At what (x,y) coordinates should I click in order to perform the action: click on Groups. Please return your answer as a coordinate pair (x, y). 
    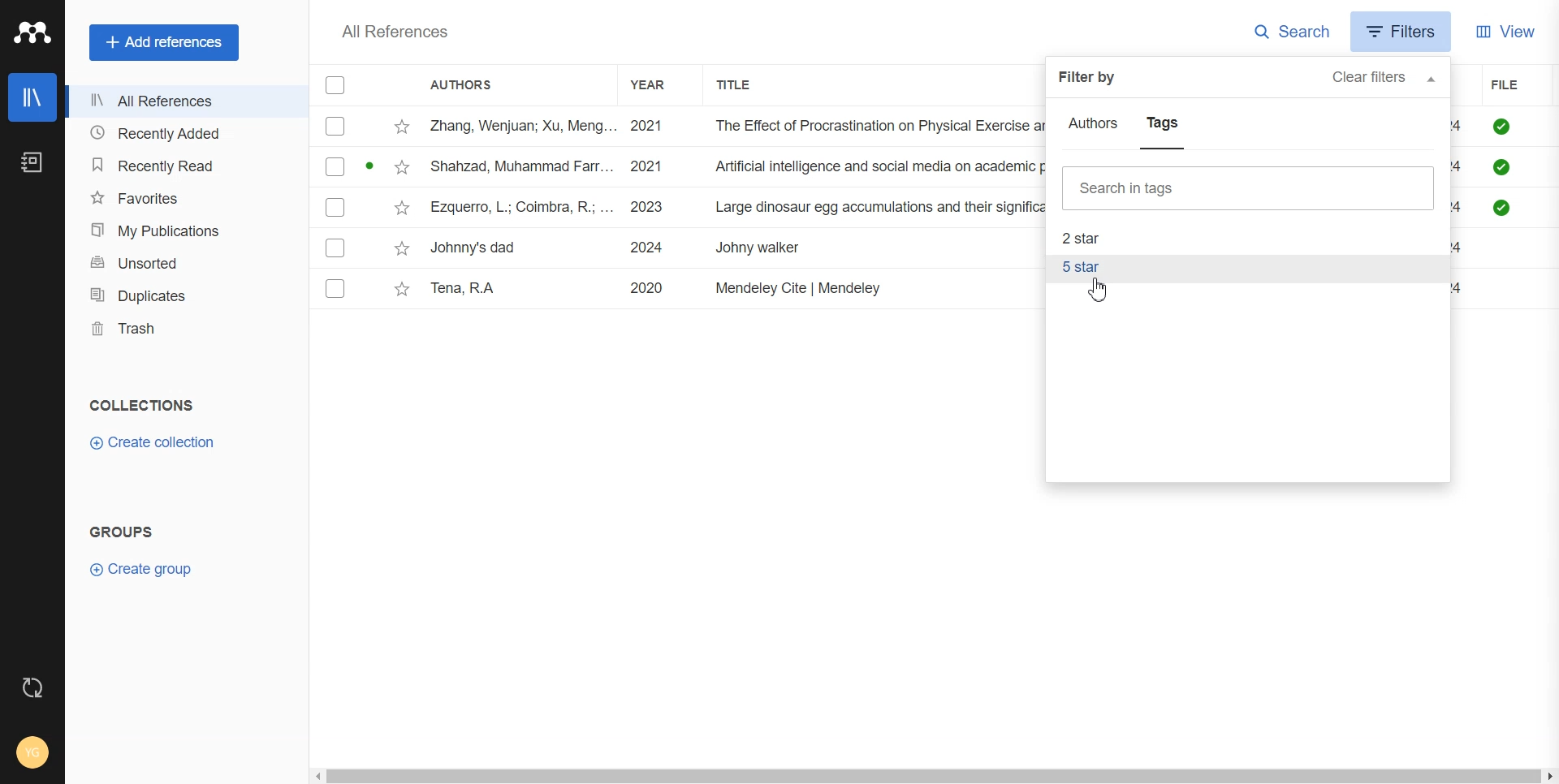
    Looking at the image, I should click on (122, 531).